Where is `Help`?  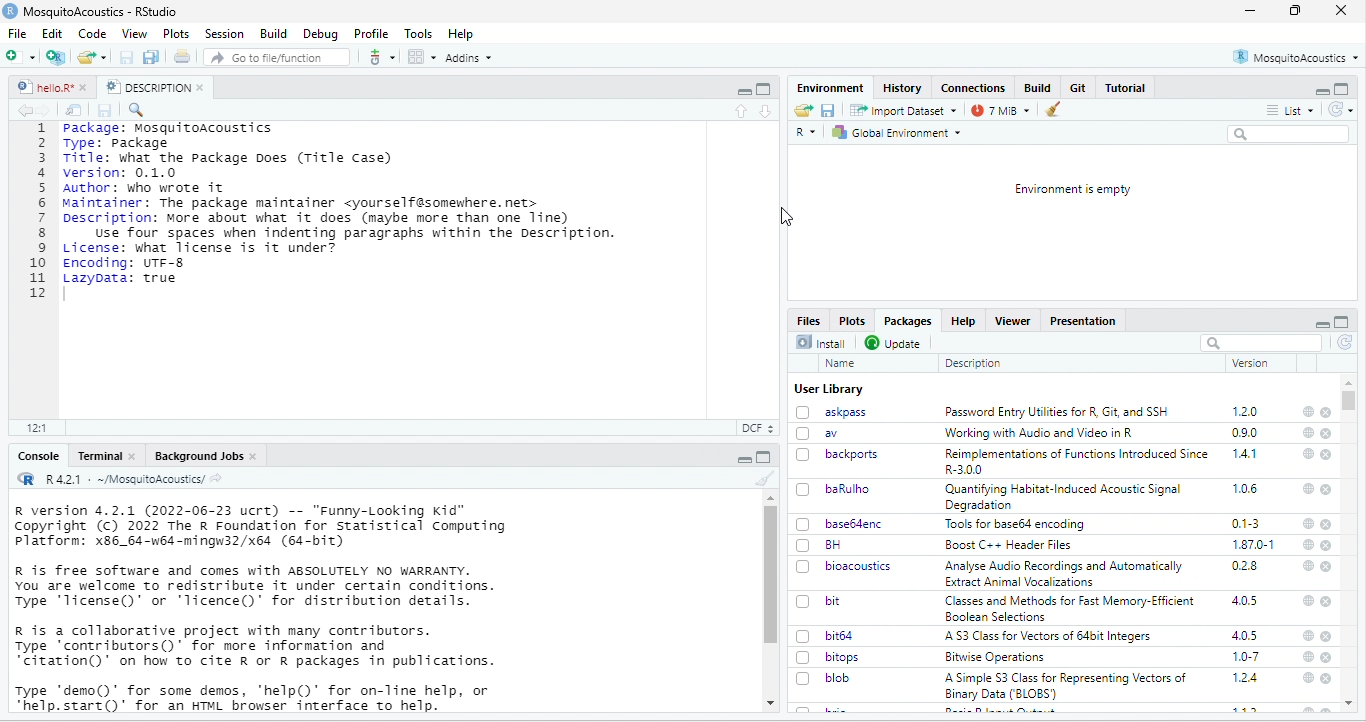 Help is located at coordinates (463, 34).